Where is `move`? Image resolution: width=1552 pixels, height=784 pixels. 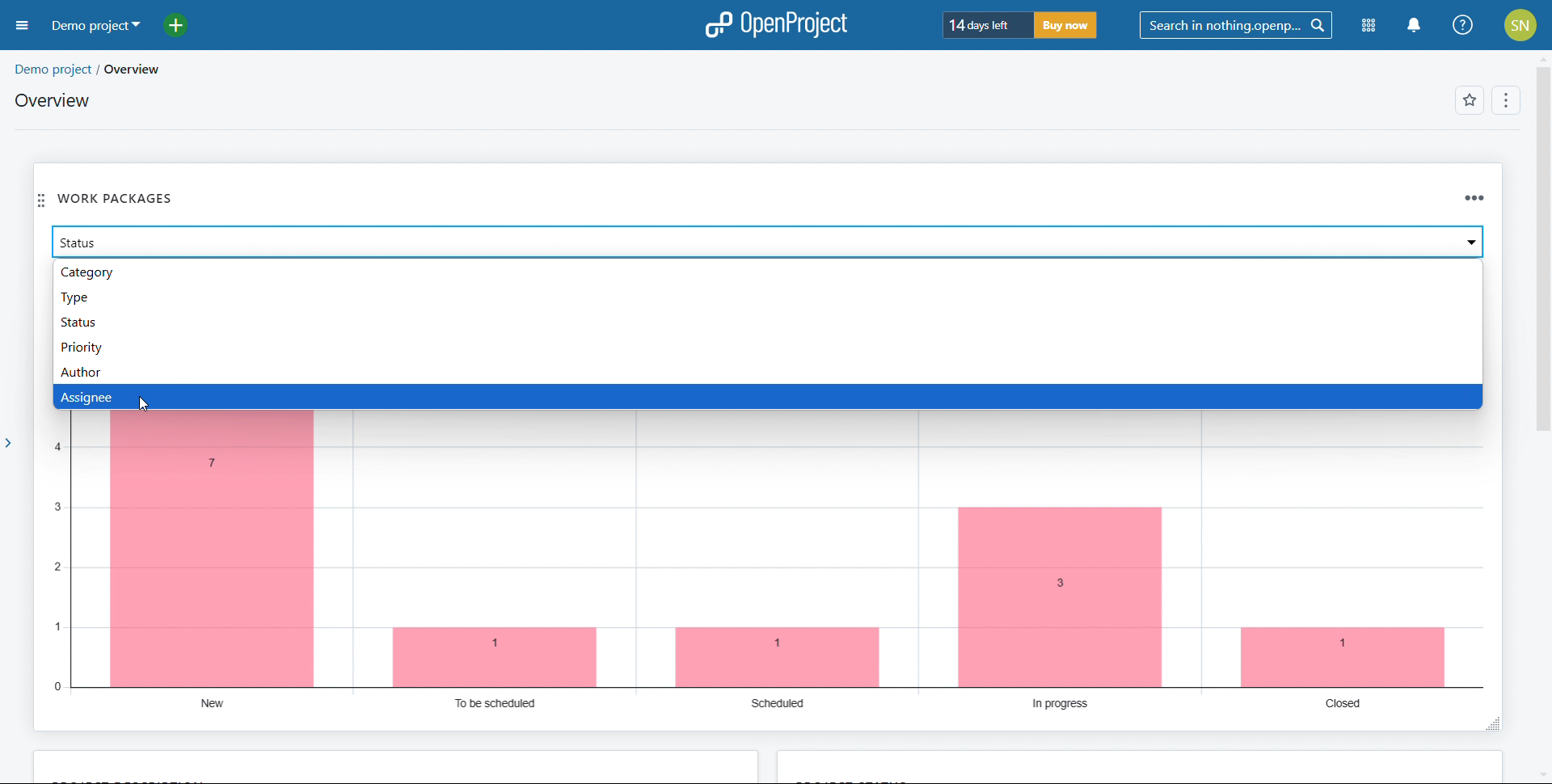
move is located at coordinates (41, 200).